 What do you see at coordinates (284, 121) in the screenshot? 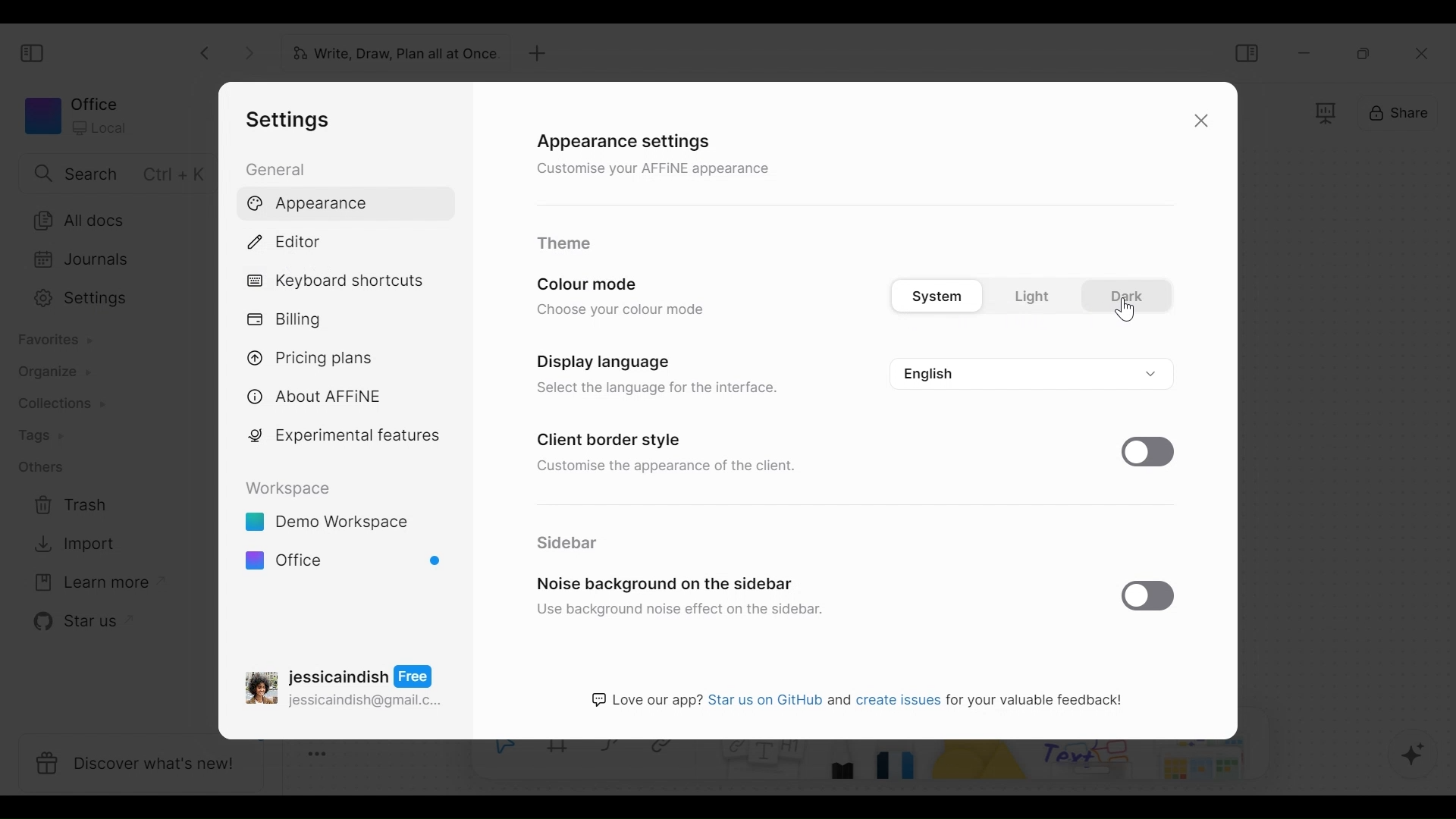
I see `Settings` at bounding box center [284, 121].